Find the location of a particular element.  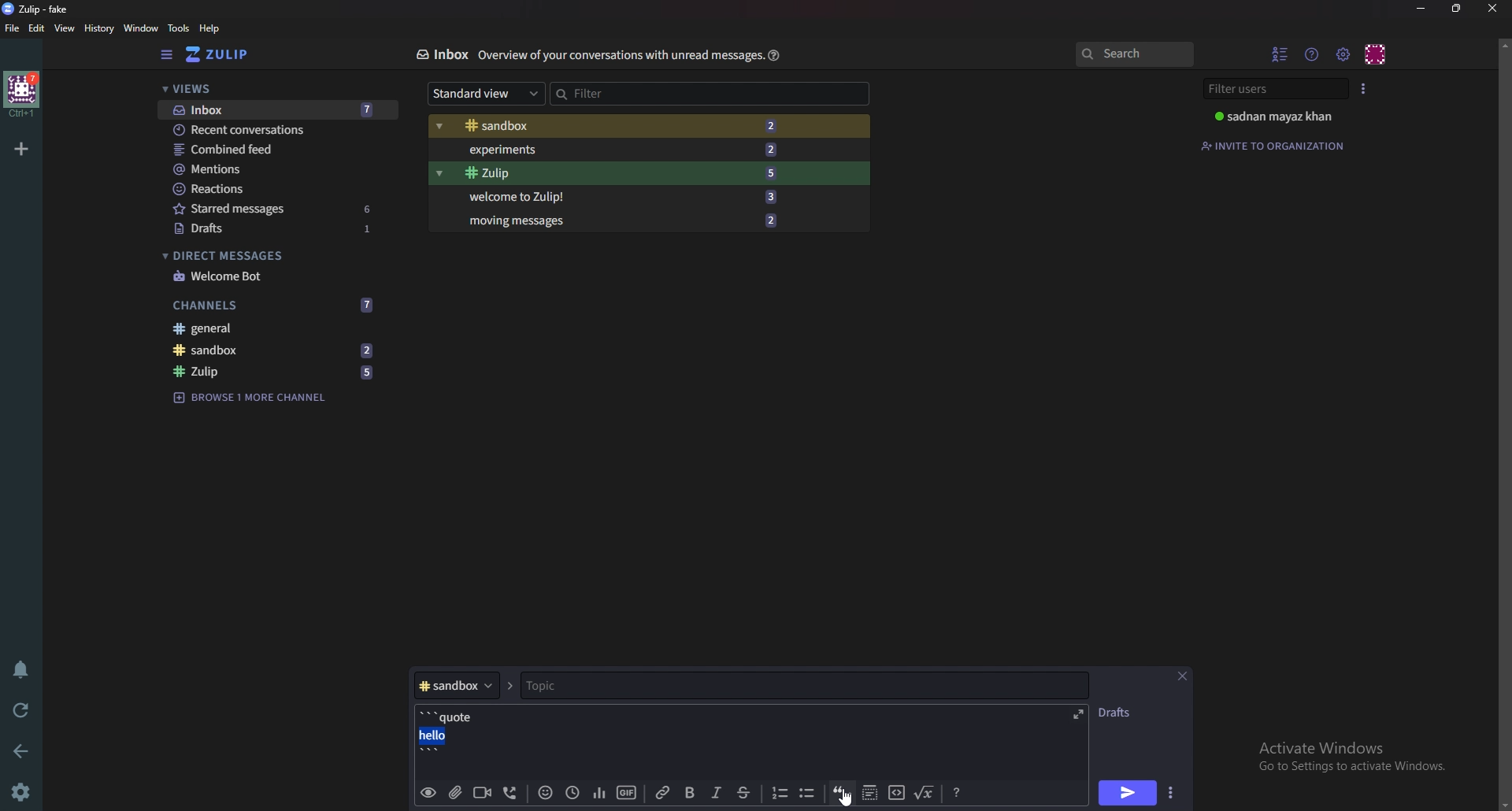

Standard view is located at coordinates (485, 94).